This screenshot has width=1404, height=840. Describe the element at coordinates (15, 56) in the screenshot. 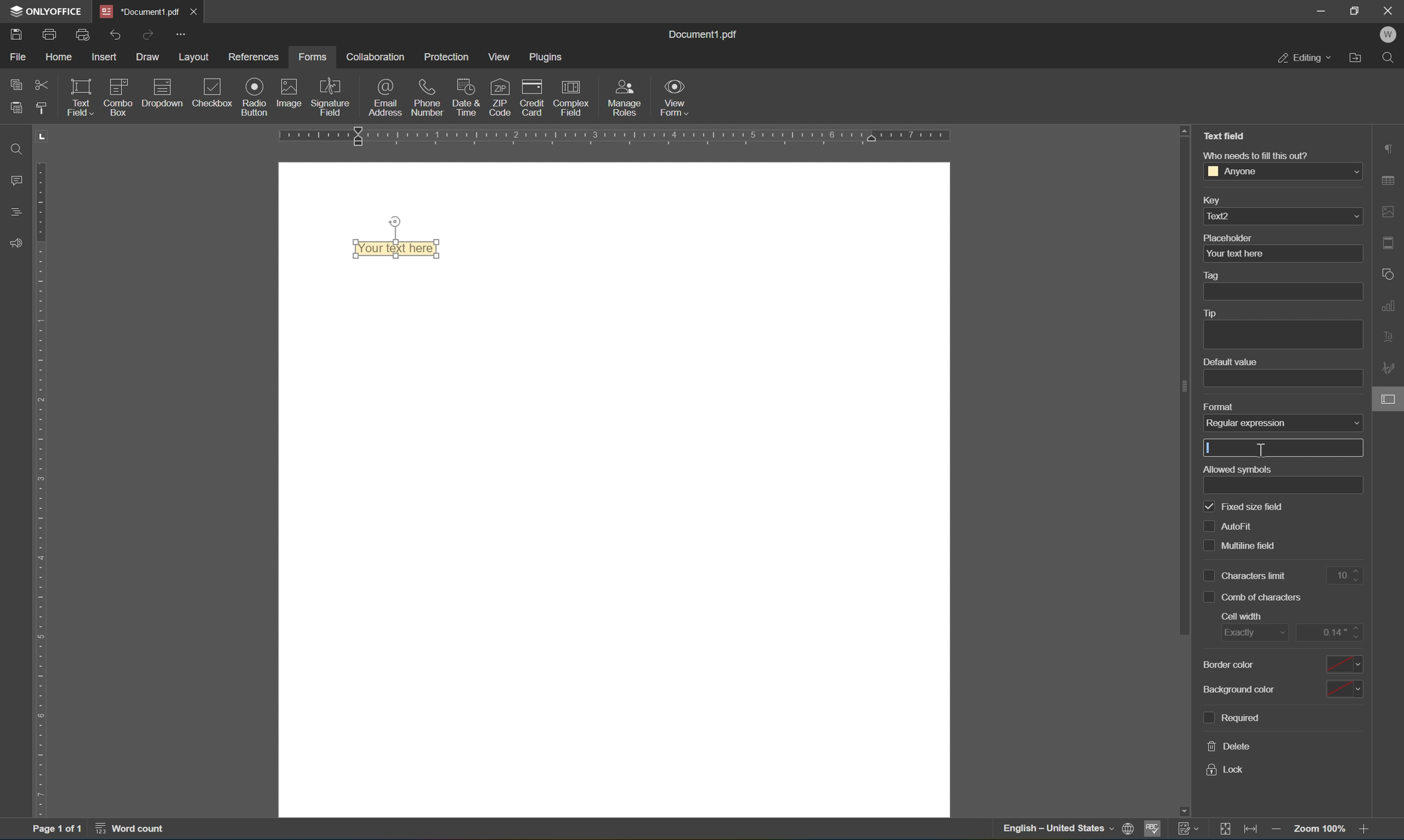

I see `file` at that location.